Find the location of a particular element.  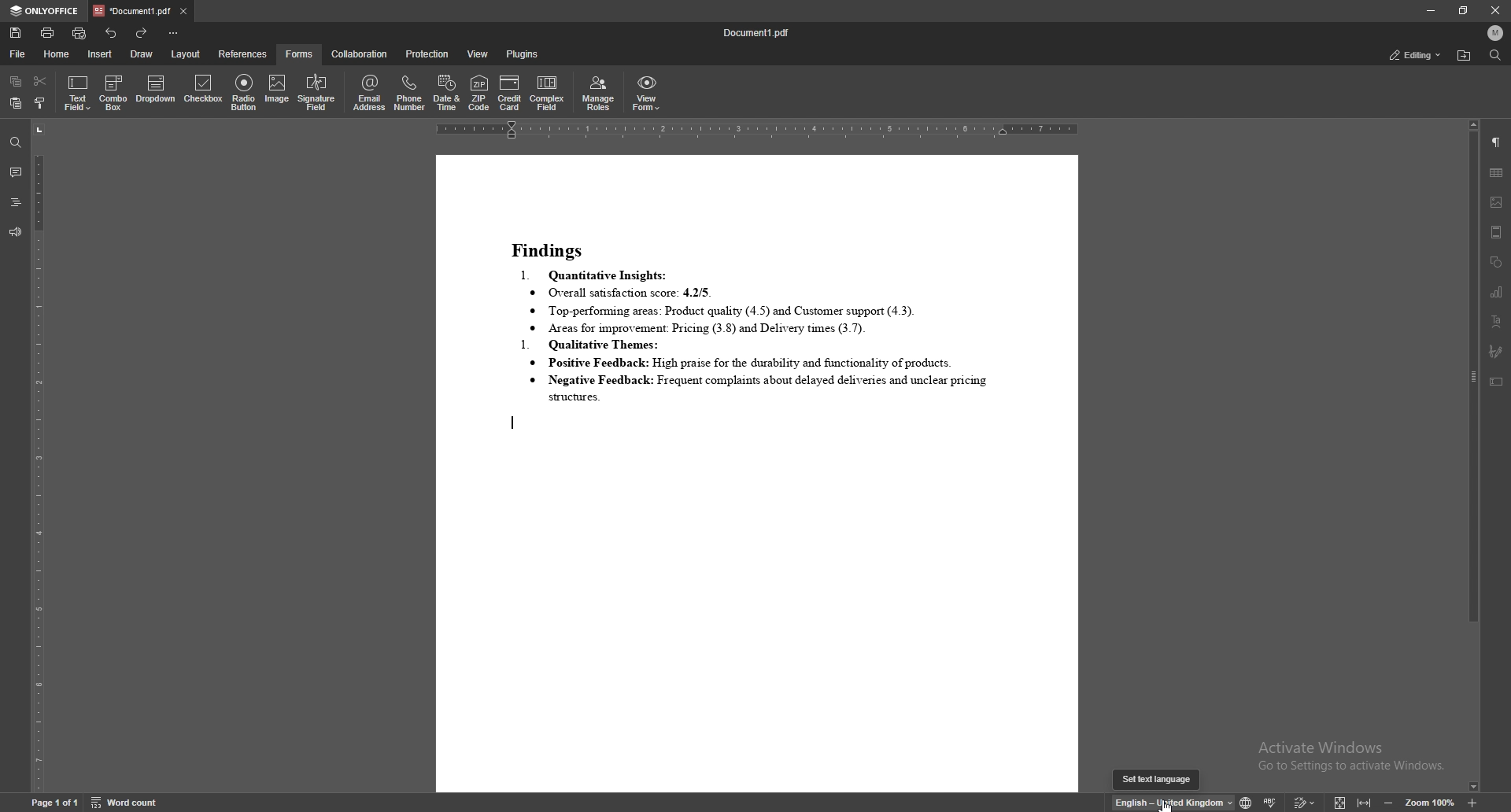

fit to width is located at coordinates (1365, 803).